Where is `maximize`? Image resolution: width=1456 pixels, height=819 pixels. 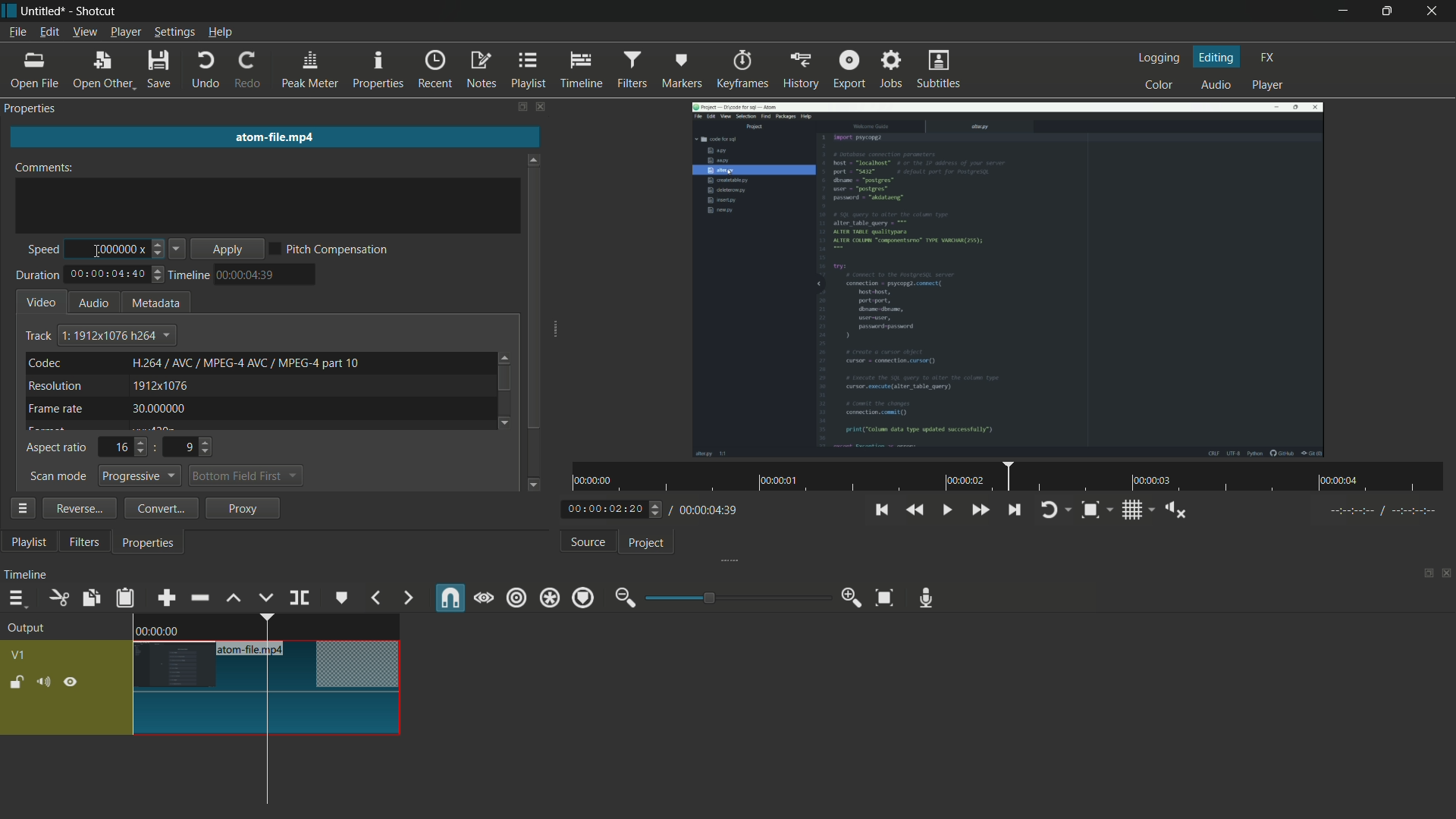 maximize is located at coordinates (1389, 10).